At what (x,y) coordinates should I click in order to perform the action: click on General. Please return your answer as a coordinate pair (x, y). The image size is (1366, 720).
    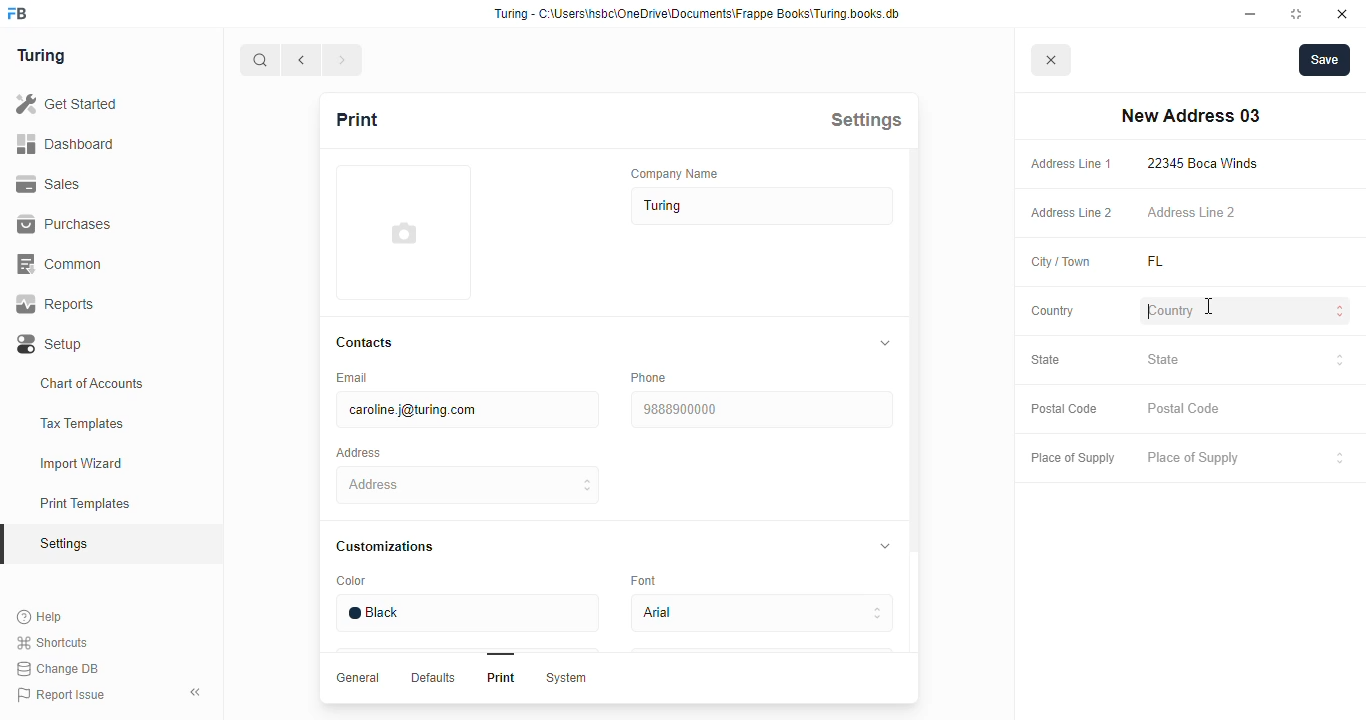
    Looking at the image, I should click on (358, 677).